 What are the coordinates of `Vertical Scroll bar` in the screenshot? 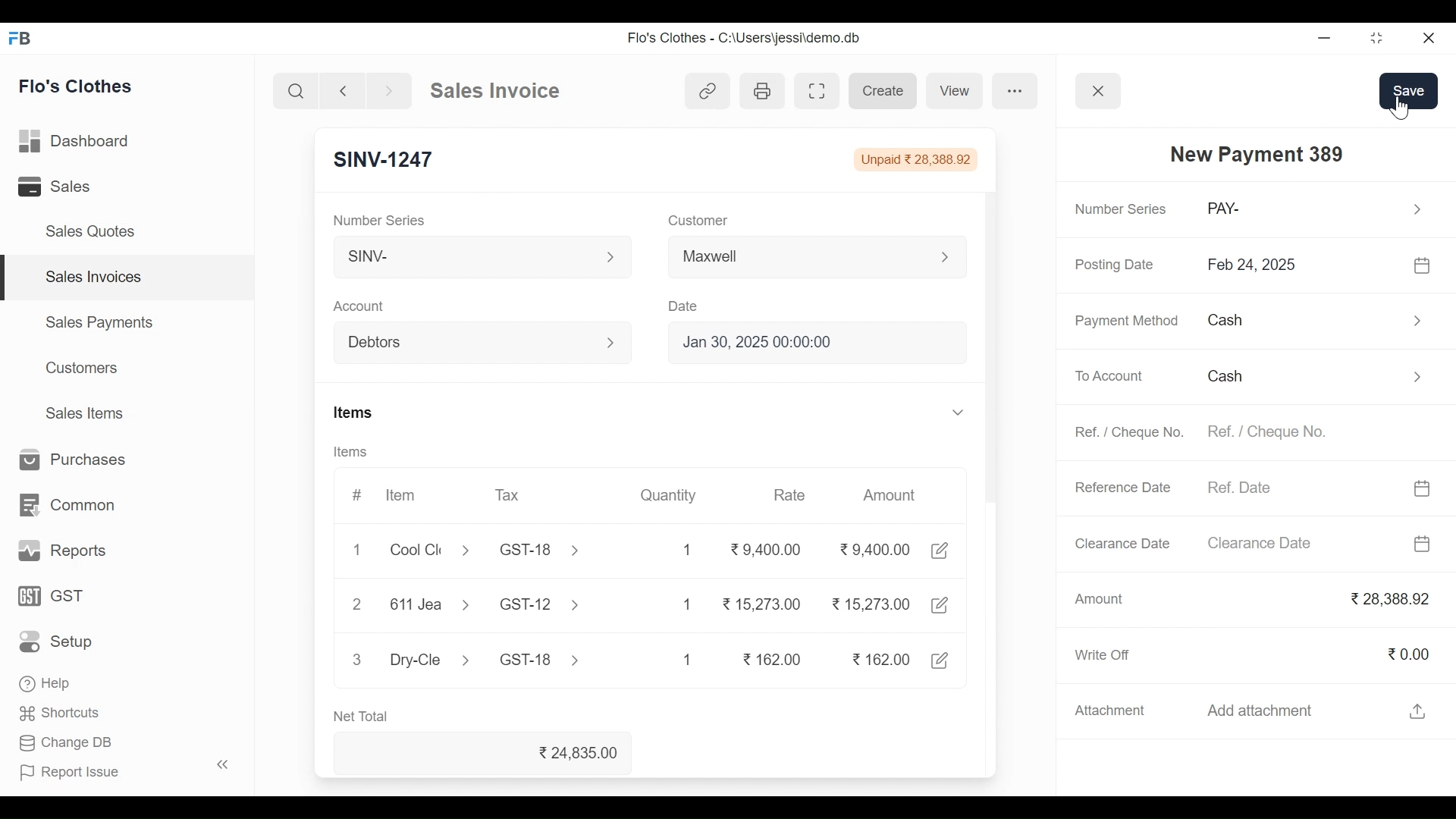 It's located at (996, 346).